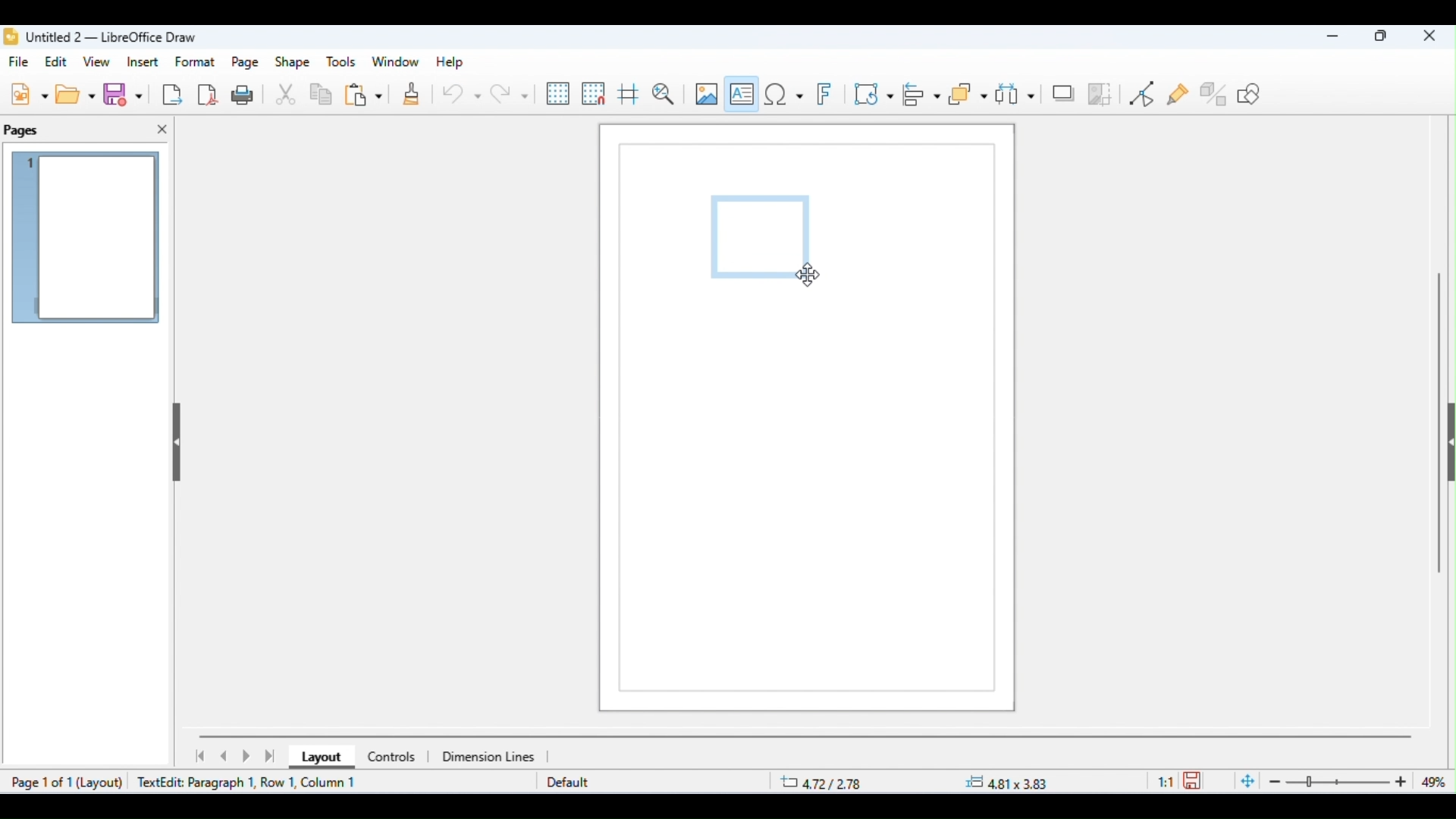  What do you see at coordinates (923, 94) in the screenshot?
I see `align objects` at bounding box center [923, 94].